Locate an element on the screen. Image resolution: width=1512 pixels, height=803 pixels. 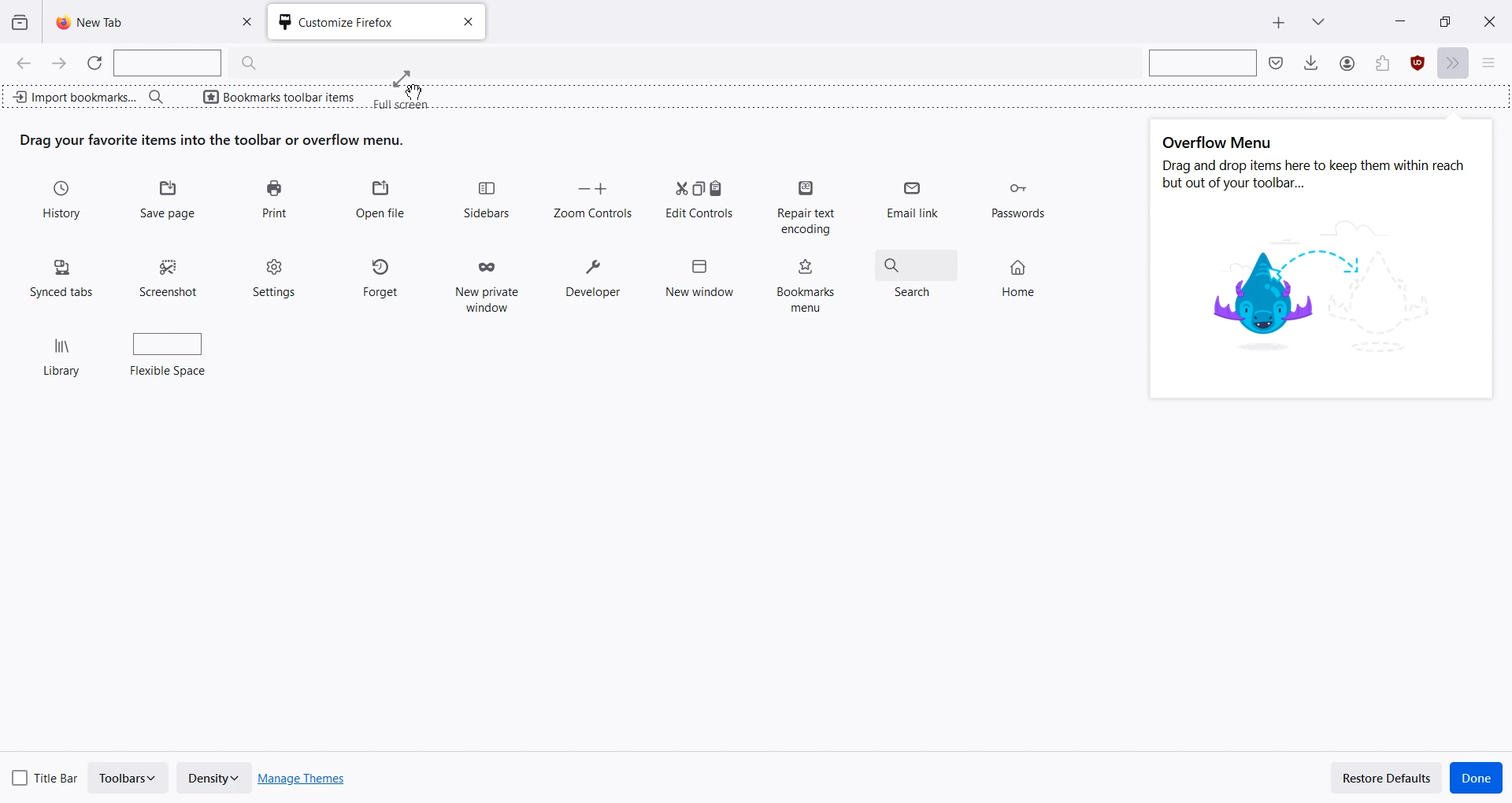
Restore Defaults is located at coordinates (1387, 777).